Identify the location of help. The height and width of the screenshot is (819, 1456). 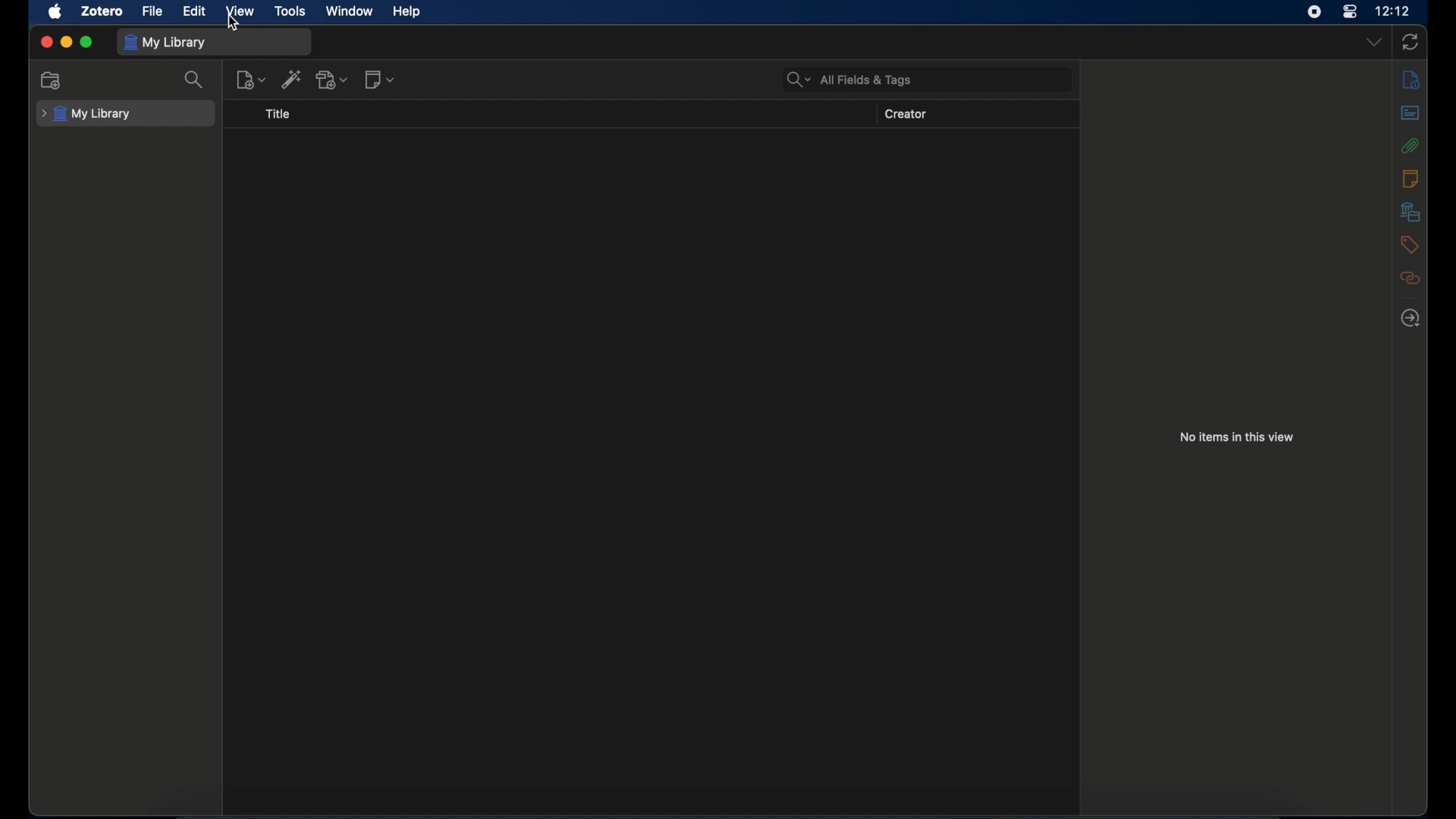
(406, 11).